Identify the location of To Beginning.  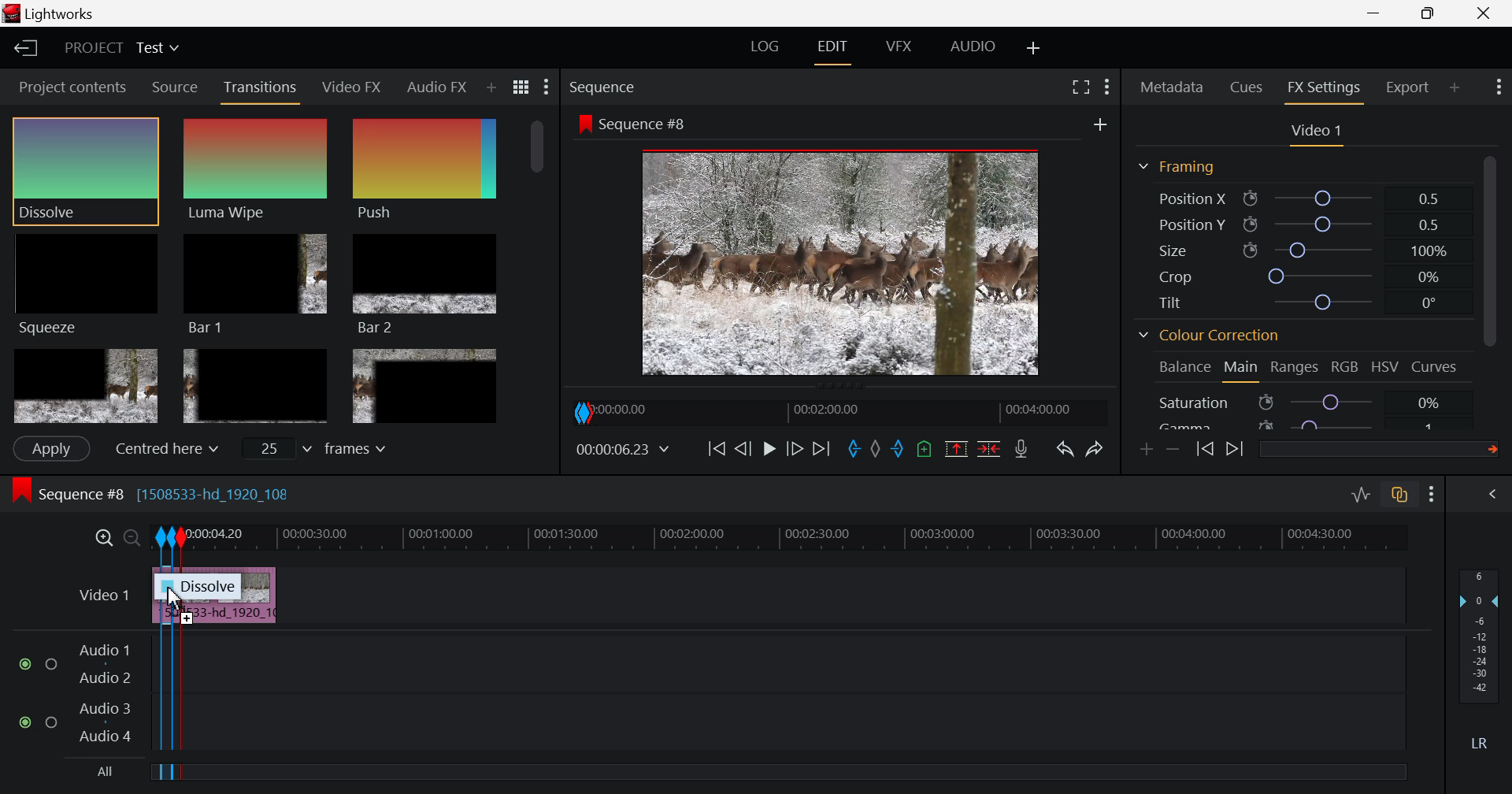
(714, 450).